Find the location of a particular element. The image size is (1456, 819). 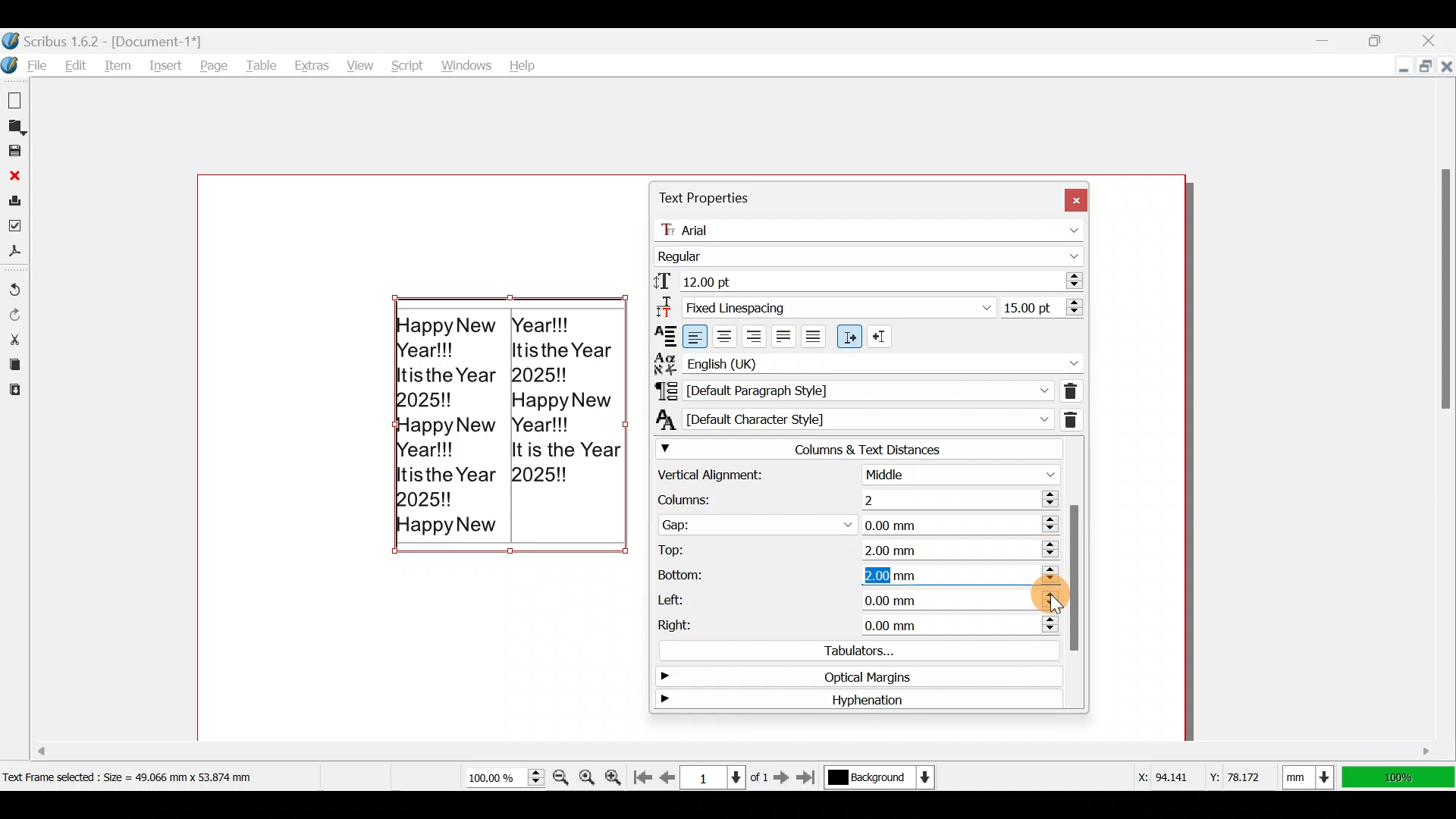

Scribus 1.6.2 is located at coordinates (105, 39).